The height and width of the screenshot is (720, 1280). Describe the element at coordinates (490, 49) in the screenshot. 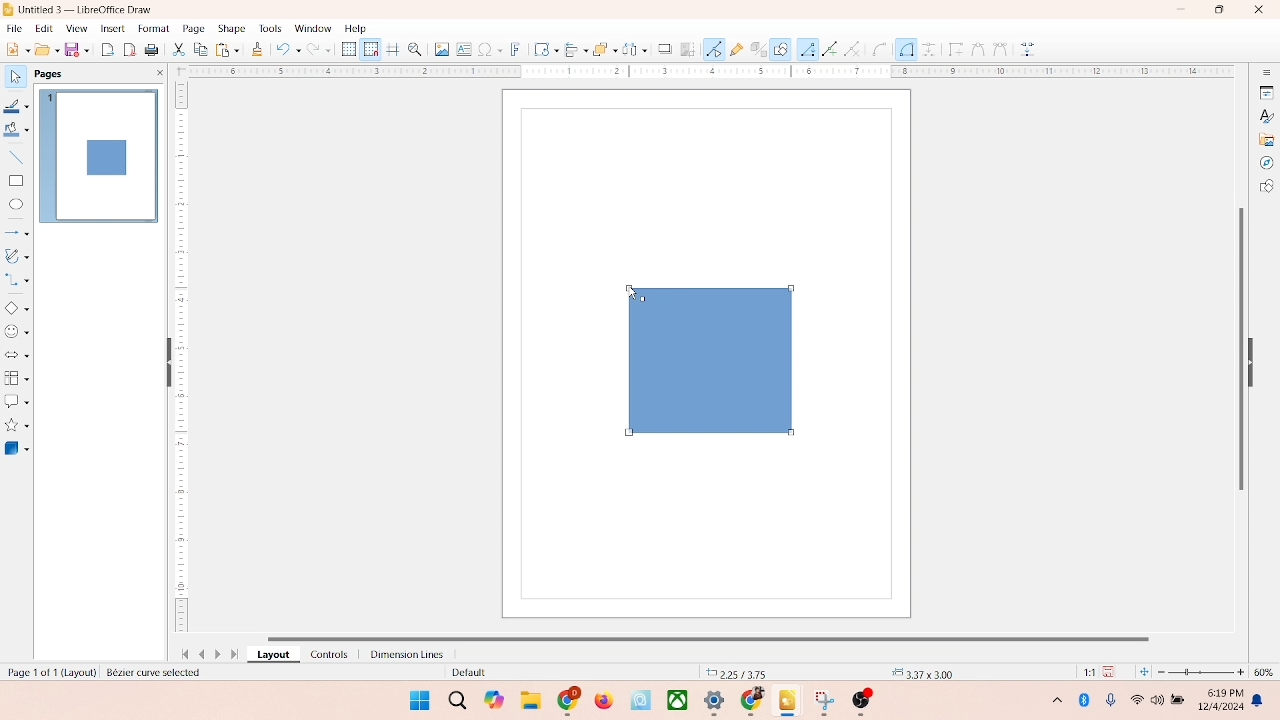

I see `special character` at that location.